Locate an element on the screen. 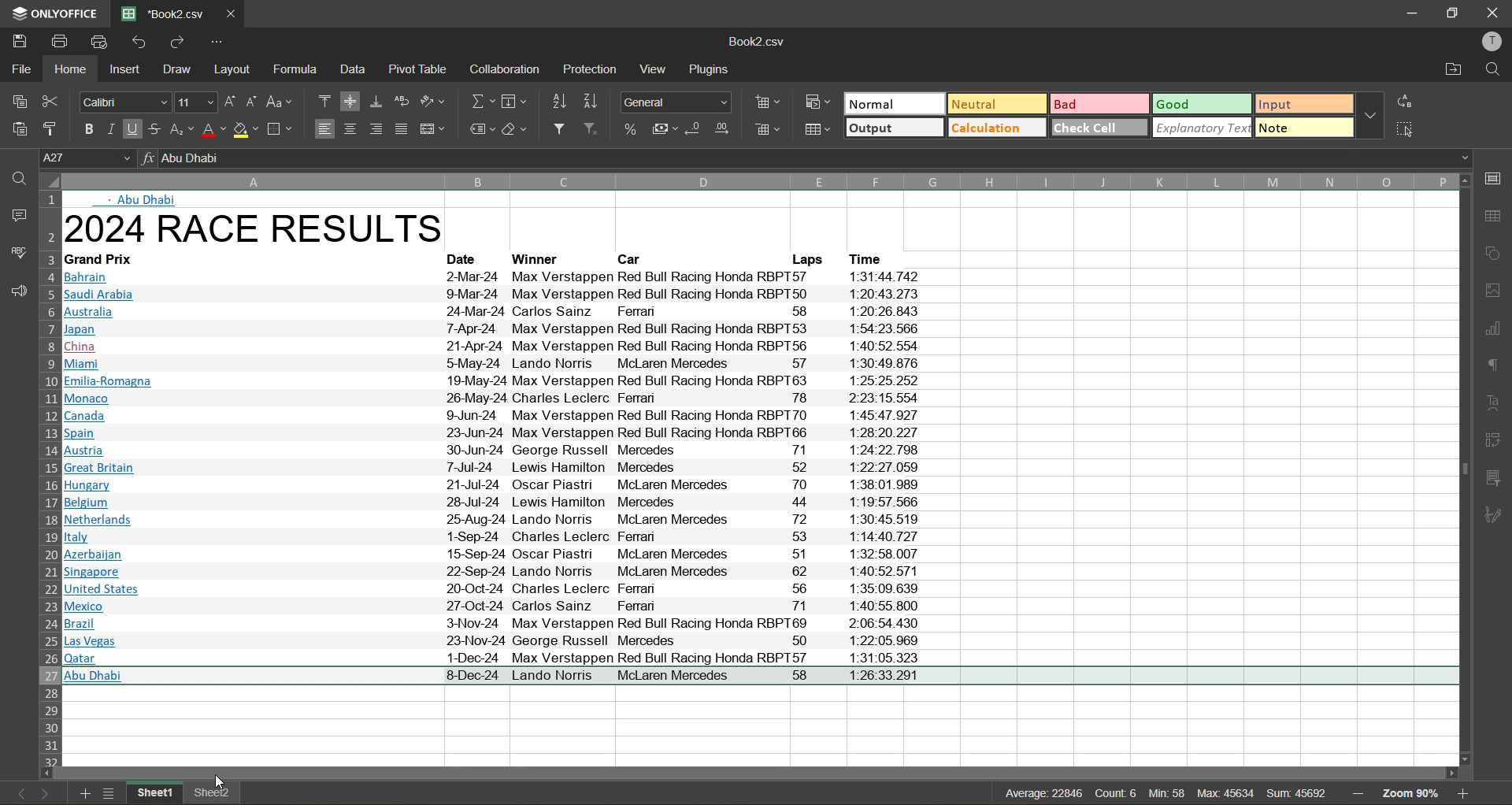 Image resolution: width=1512 pixels, height=805 pixels. sort ascending is located at coordinates (558, 102).